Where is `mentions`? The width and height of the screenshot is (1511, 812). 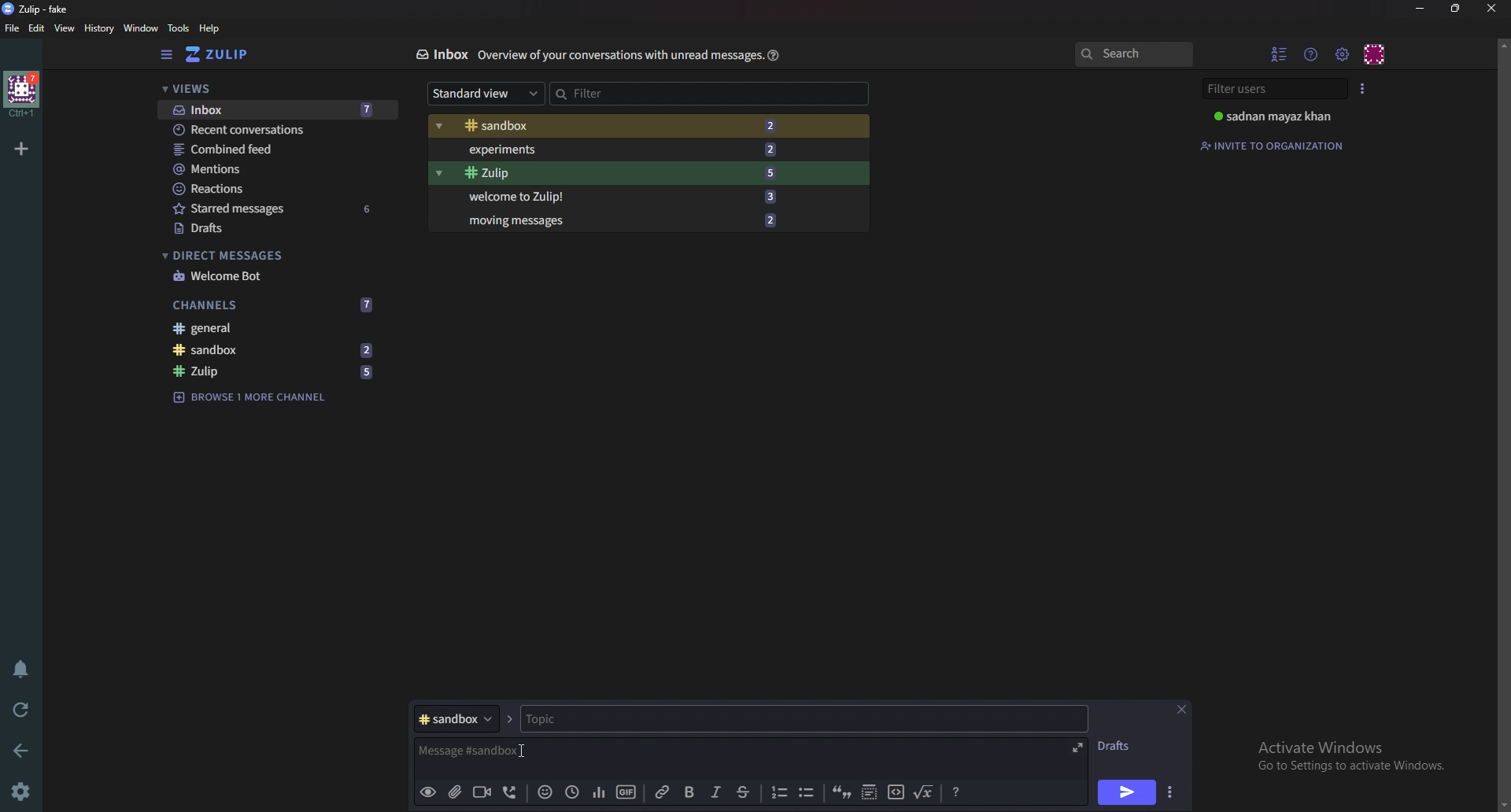
mentions is located at coordinates (277, 170).